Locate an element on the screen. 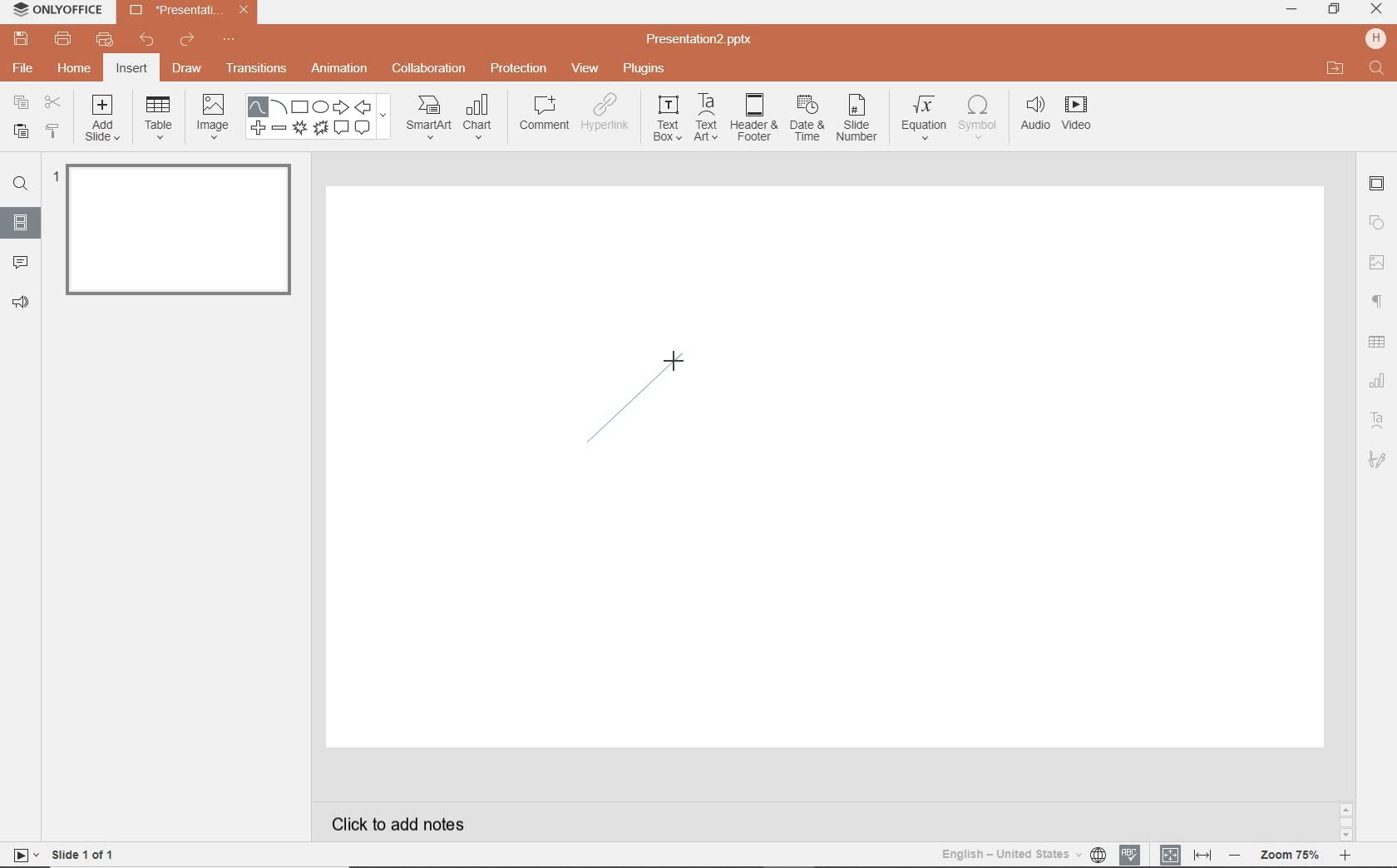 The height and width of the screenshot is (868, 1397). ADD SLIDE is located at coordinates (104, 121).